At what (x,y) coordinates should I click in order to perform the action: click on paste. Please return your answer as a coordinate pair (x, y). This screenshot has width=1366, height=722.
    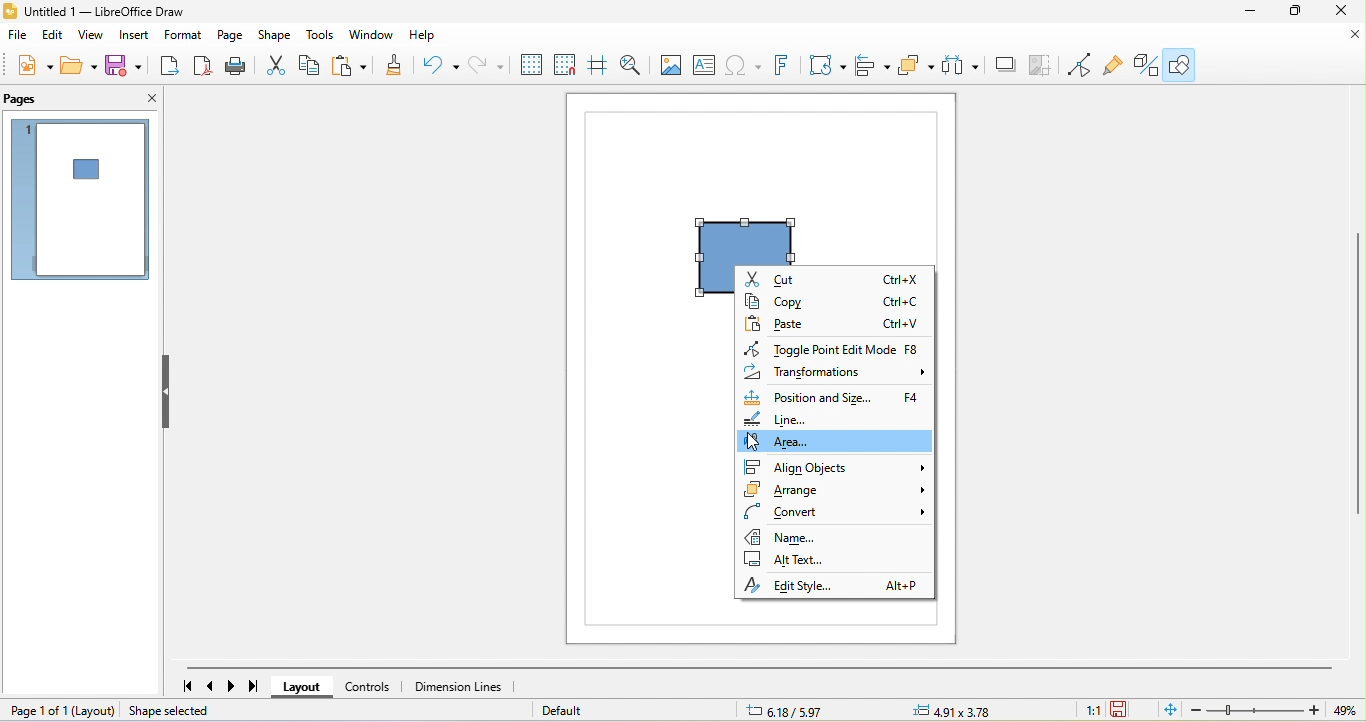
    Looking at the image, I should click on (352, 69).